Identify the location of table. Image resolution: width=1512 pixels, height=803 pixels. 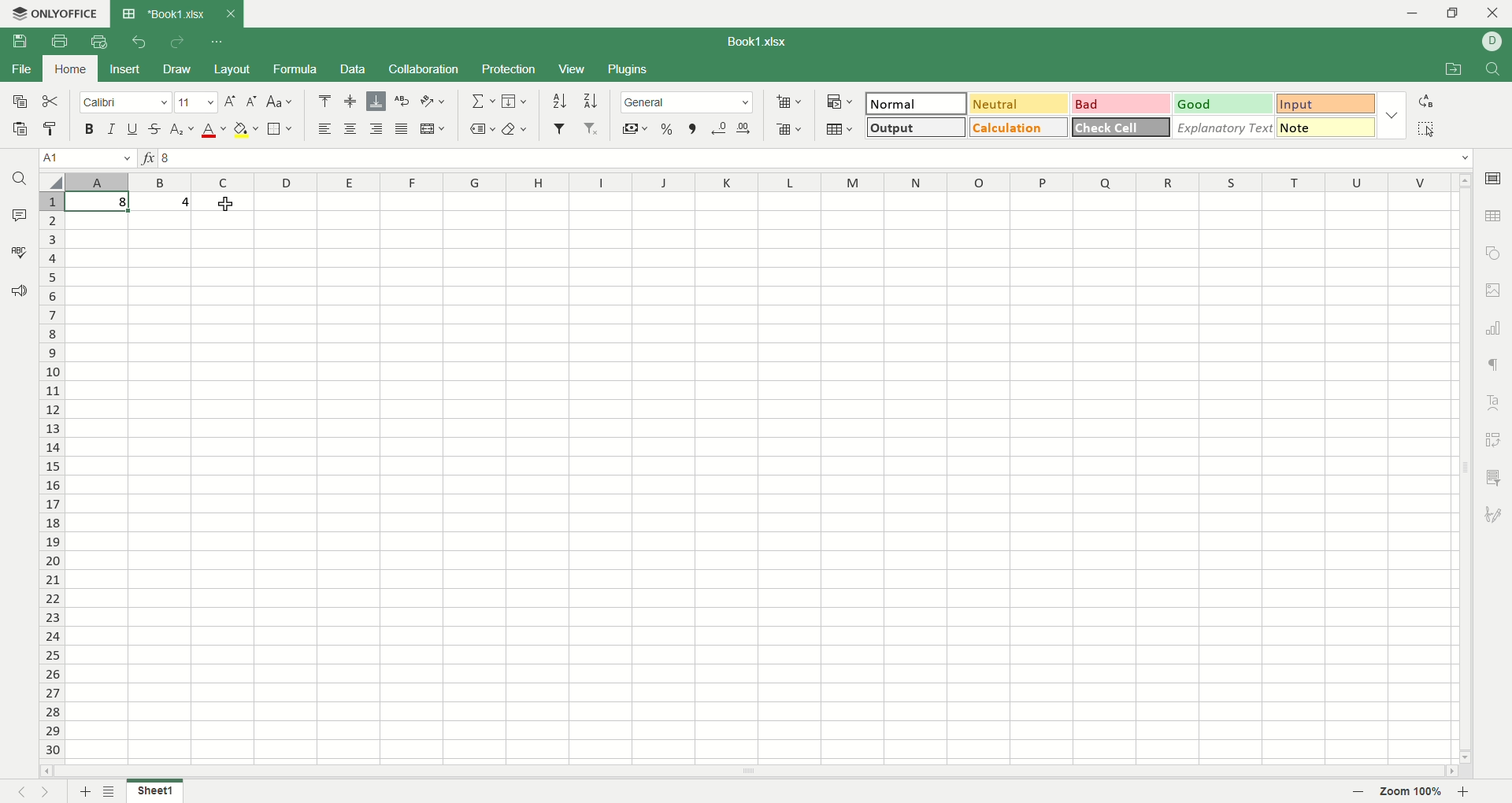
(838, 128).